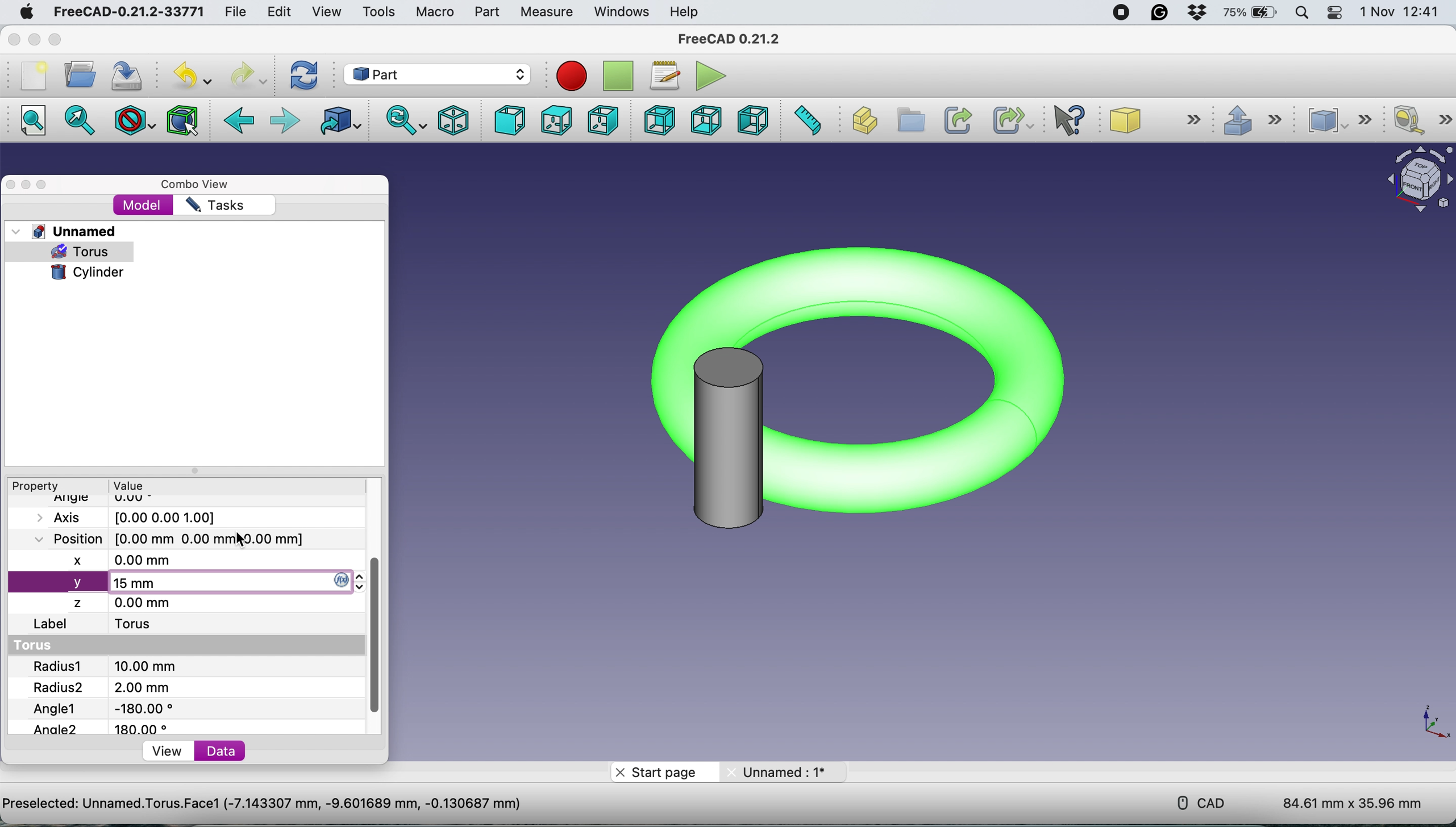 The height and width of the screenshot is (827, 1456). What do you see at coordinates (1260, 124) in the screenshot?
I see `extrude` at bounding box center [1260, 124].